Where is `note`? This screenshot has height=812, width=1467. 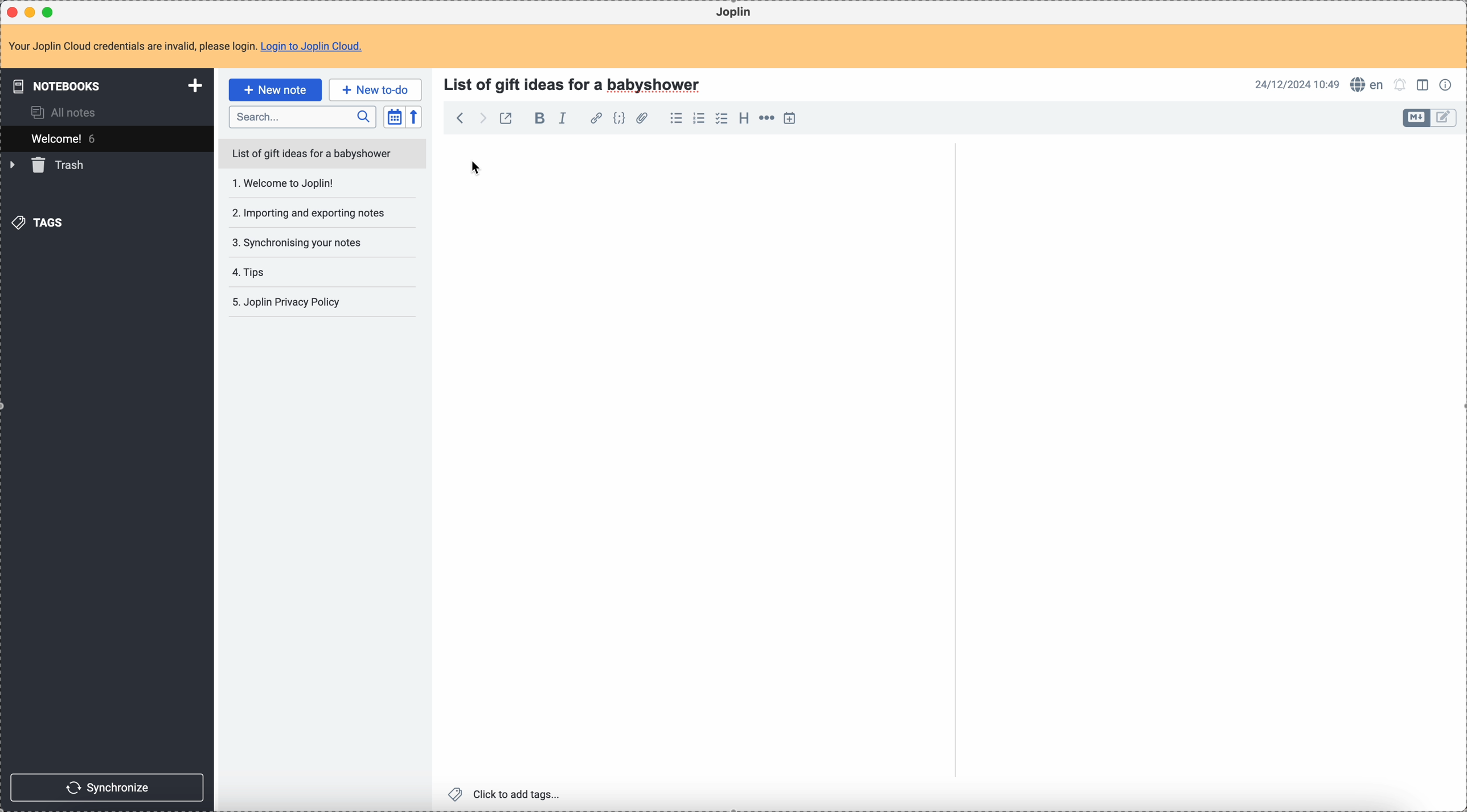
note is located at coordinates (185, 46).